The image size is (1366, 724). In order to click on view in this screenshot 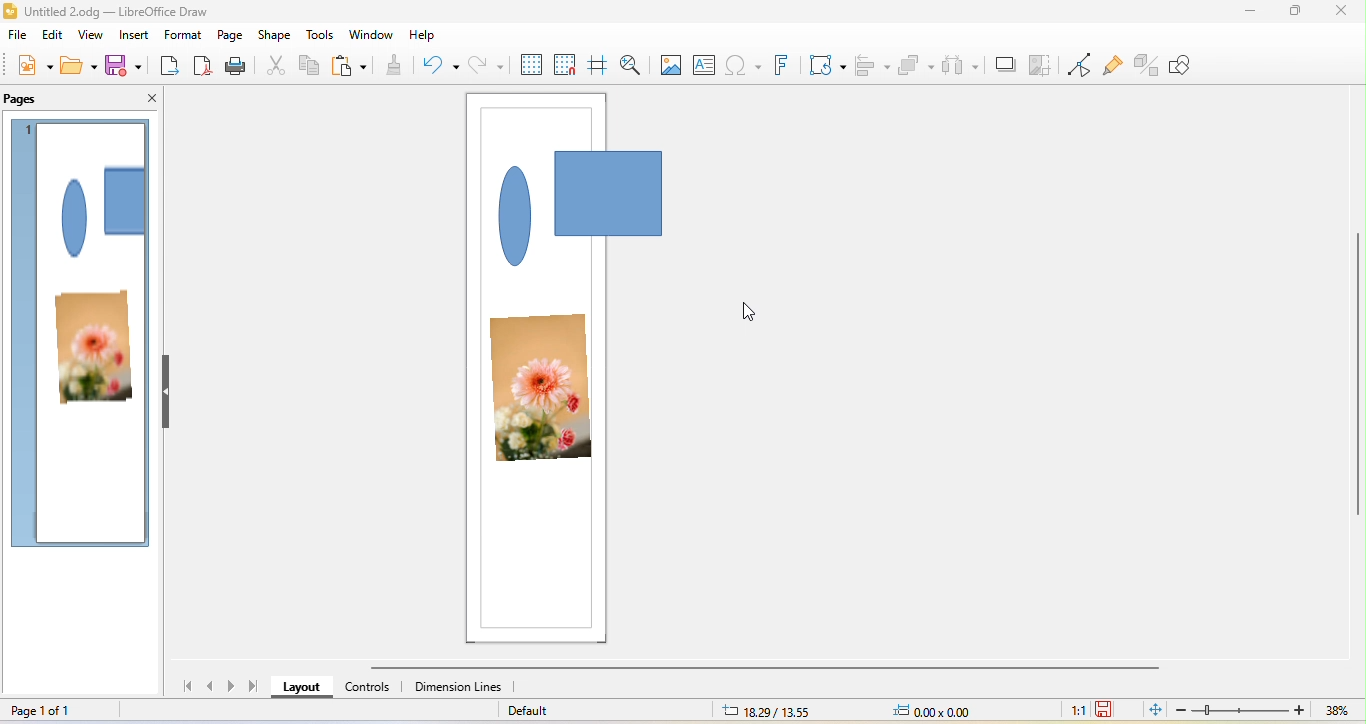, I will do `click(90, 37)`.